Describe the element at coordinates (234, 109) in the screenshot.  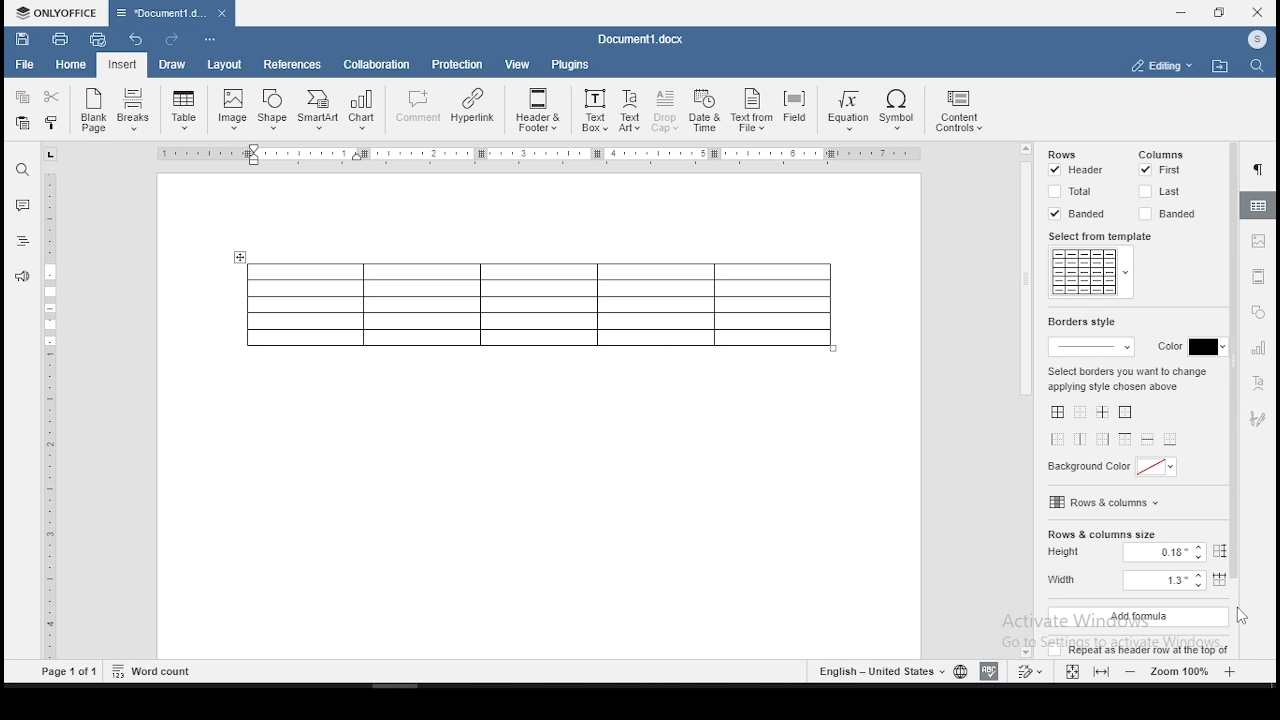
I see `Image` at that location.